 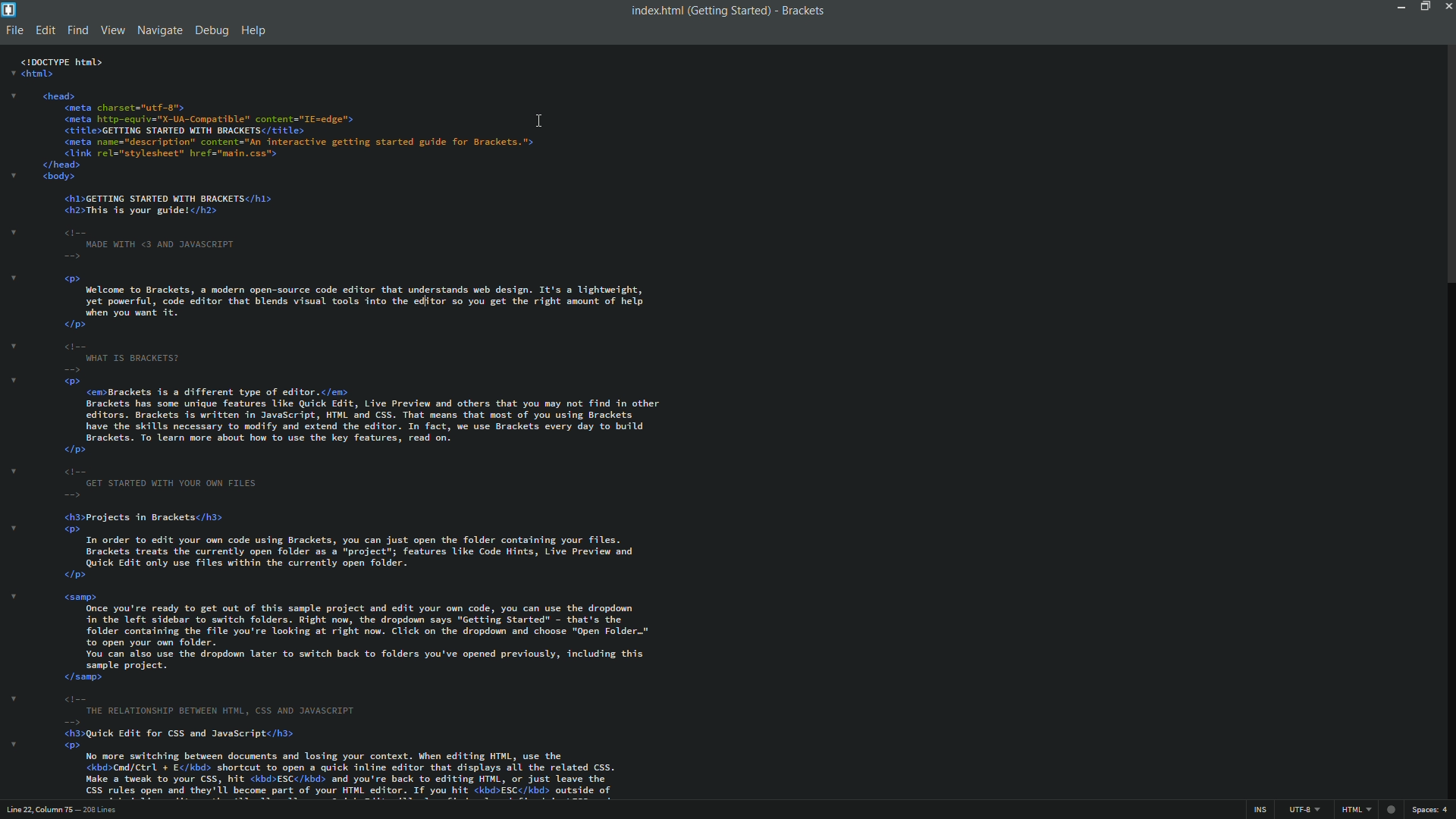 What do you see at coordinates (1423, 6) in the screenshot?
I see `maximize` at bounding box center [1423, 6].